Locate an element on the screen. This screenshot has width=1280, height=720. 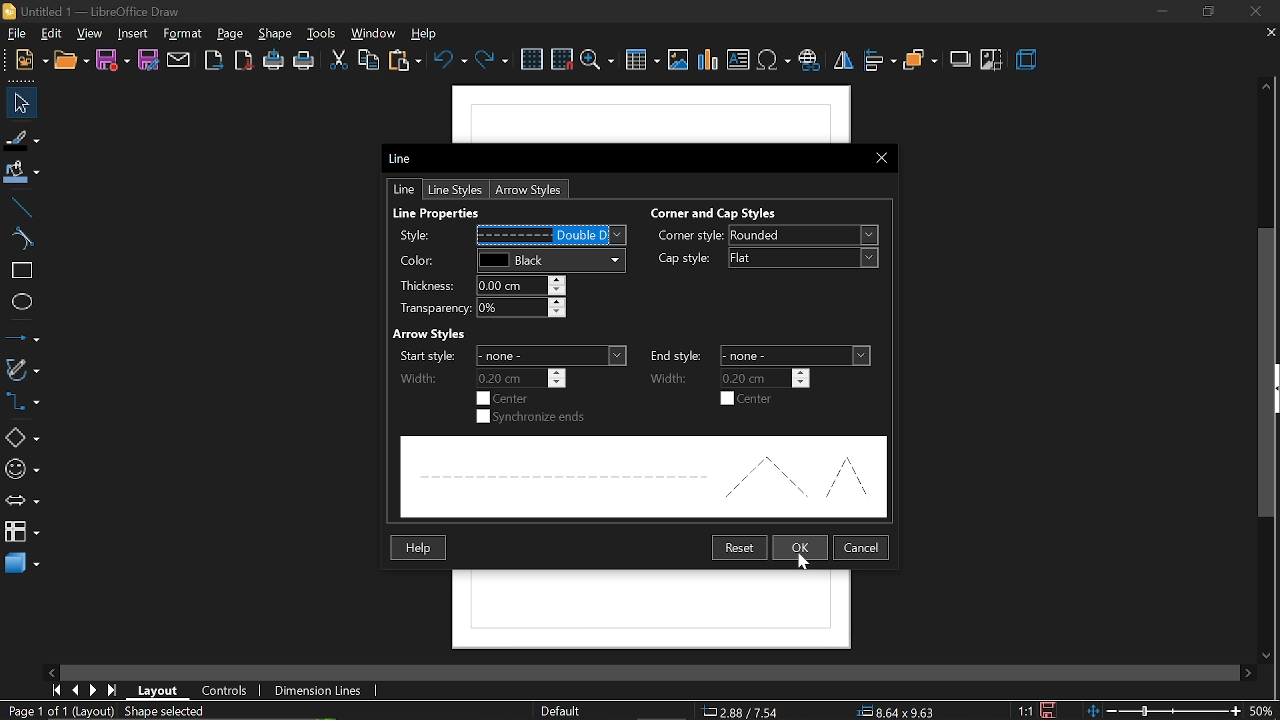
current page (Page 1 of 1 (Layout)) is located at coordinates (58, 712).